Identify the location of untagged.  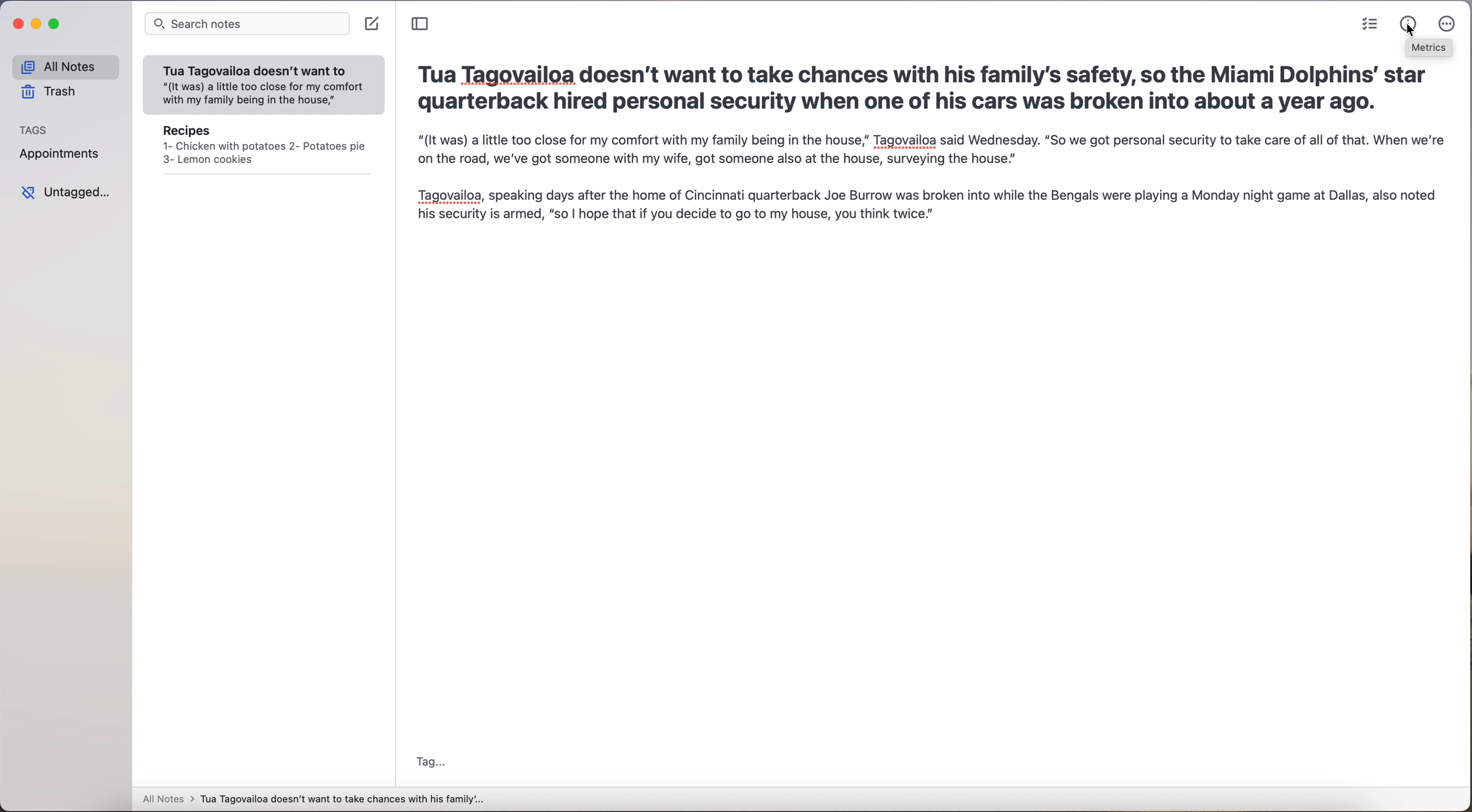
(65, 192).